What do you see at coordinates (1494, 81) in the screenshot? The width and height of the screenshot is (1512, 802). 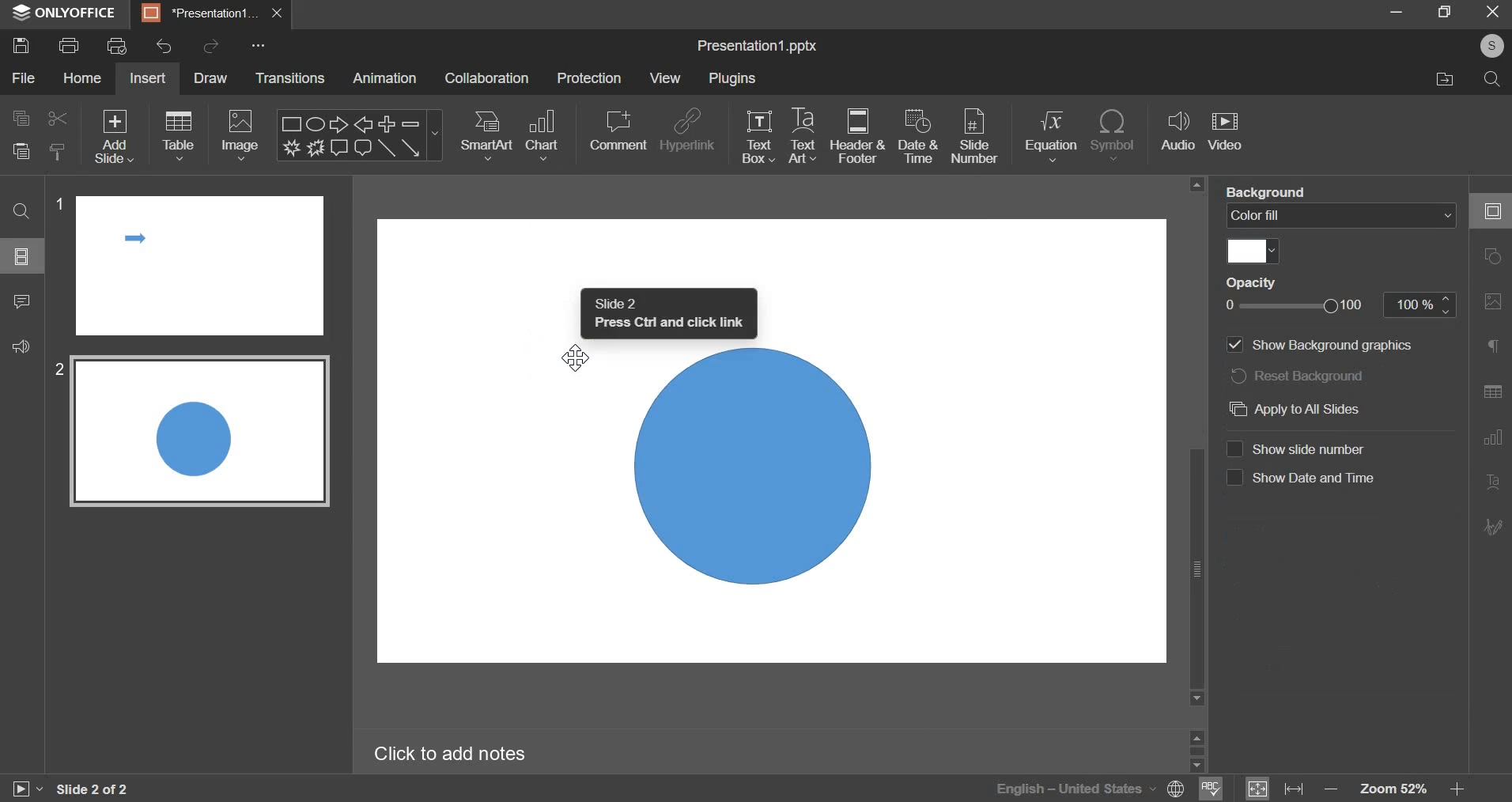 I see `search` at bounding box center [1494, 81].